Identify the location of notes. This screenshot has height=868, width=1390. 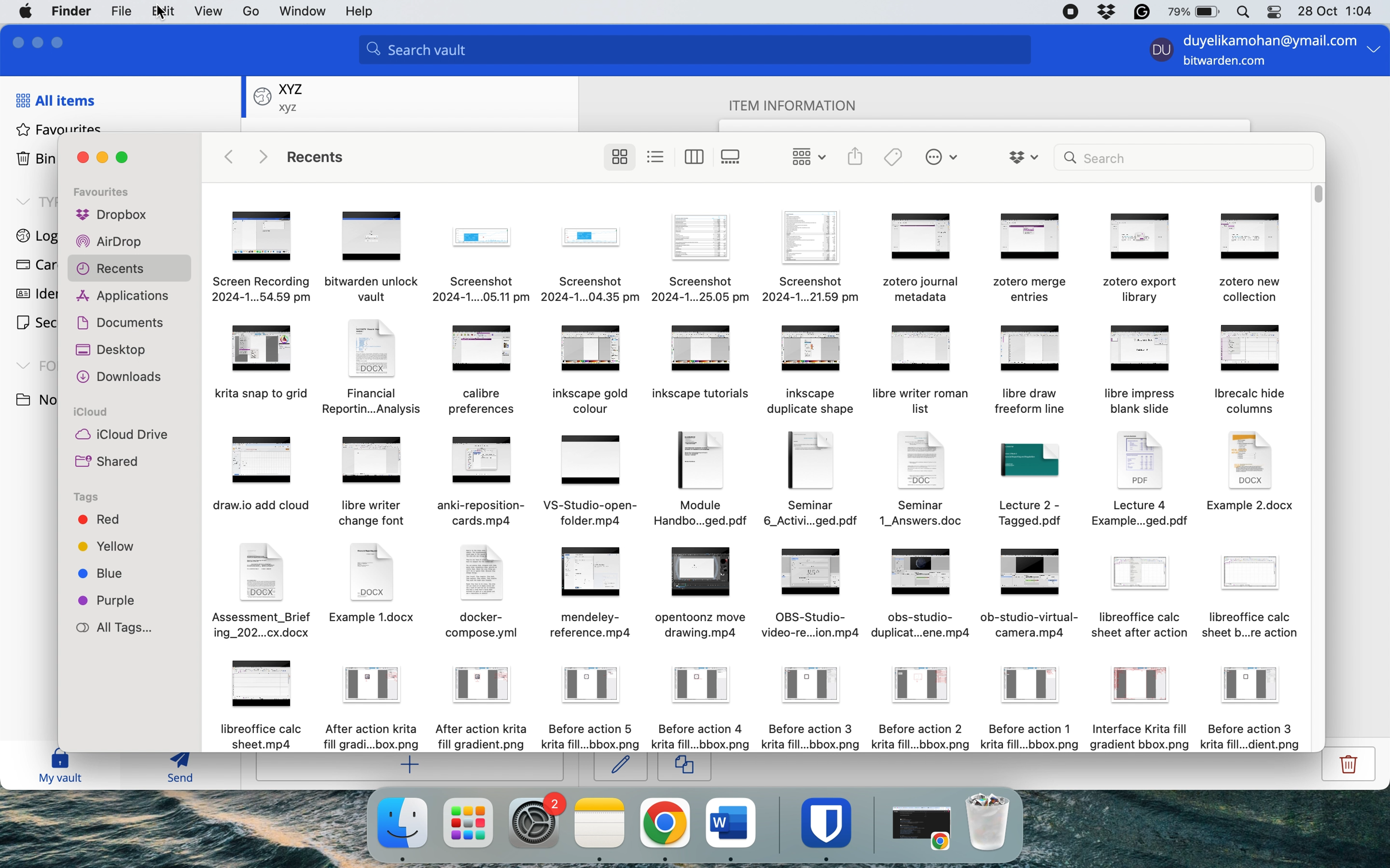
(601, 823).